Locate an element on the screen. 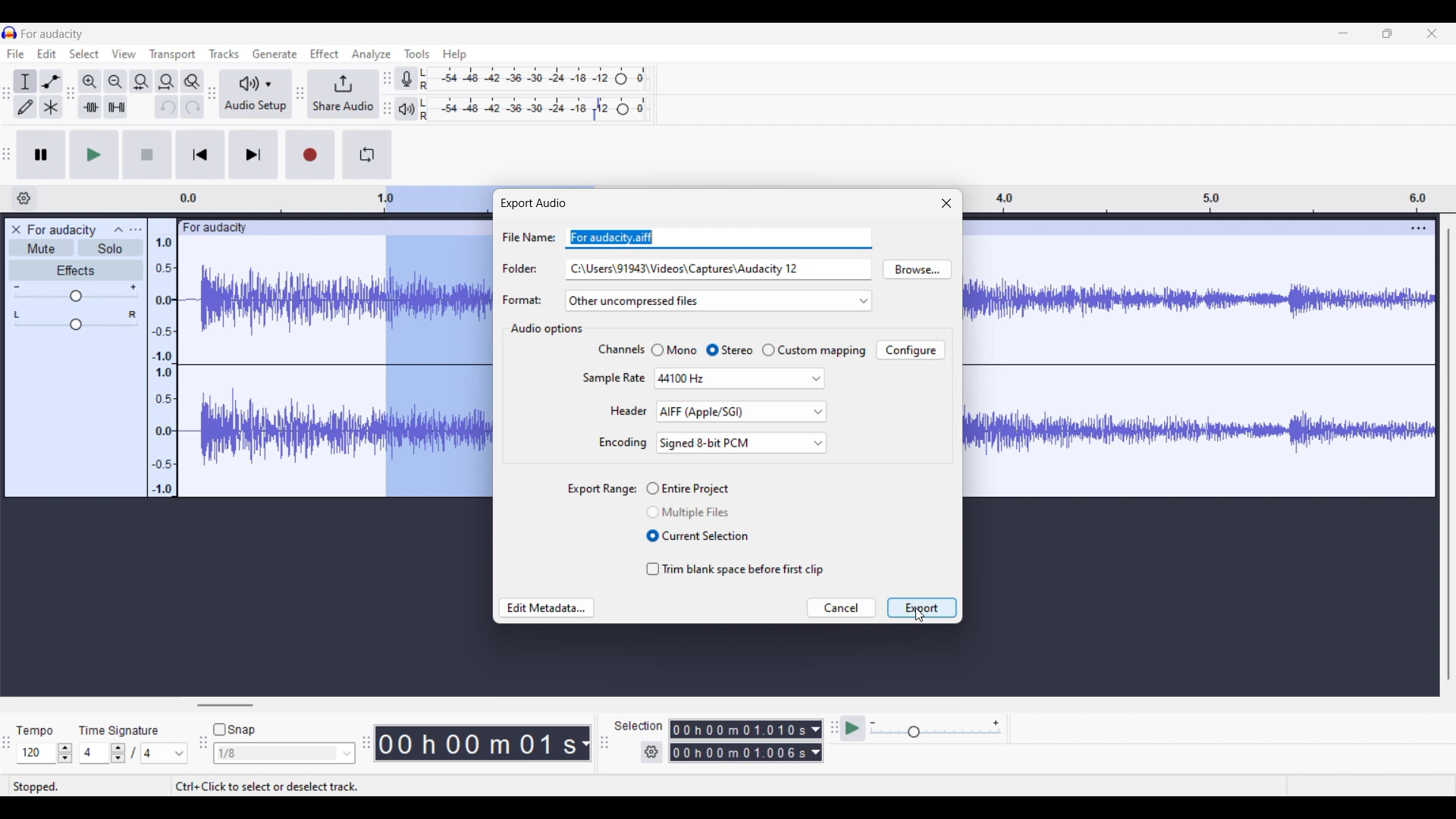  Transport menu is located at coordinates (173, 55).